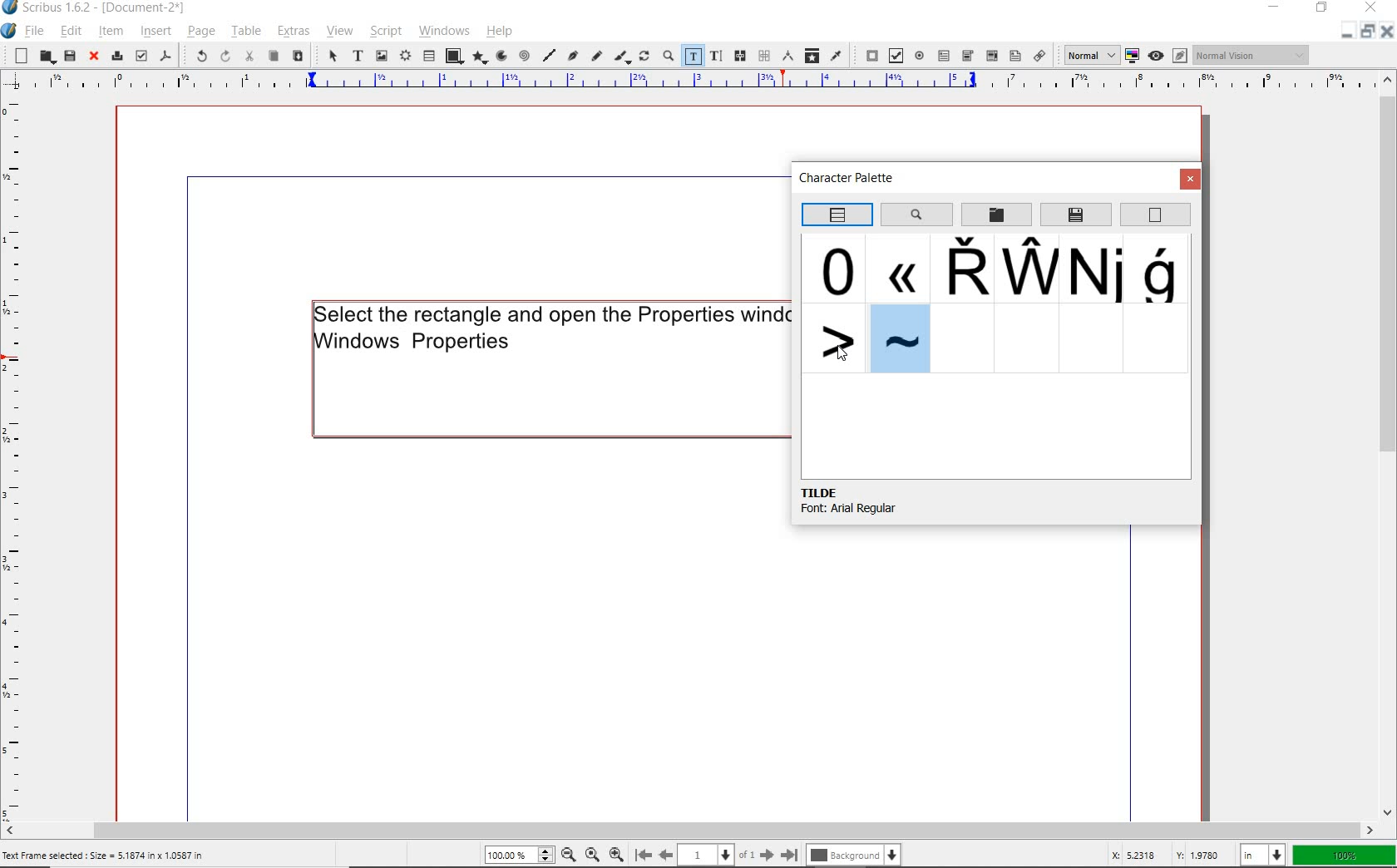 This screenshot has width=1397, height=868. I want to click on extras, so click(296, 32).